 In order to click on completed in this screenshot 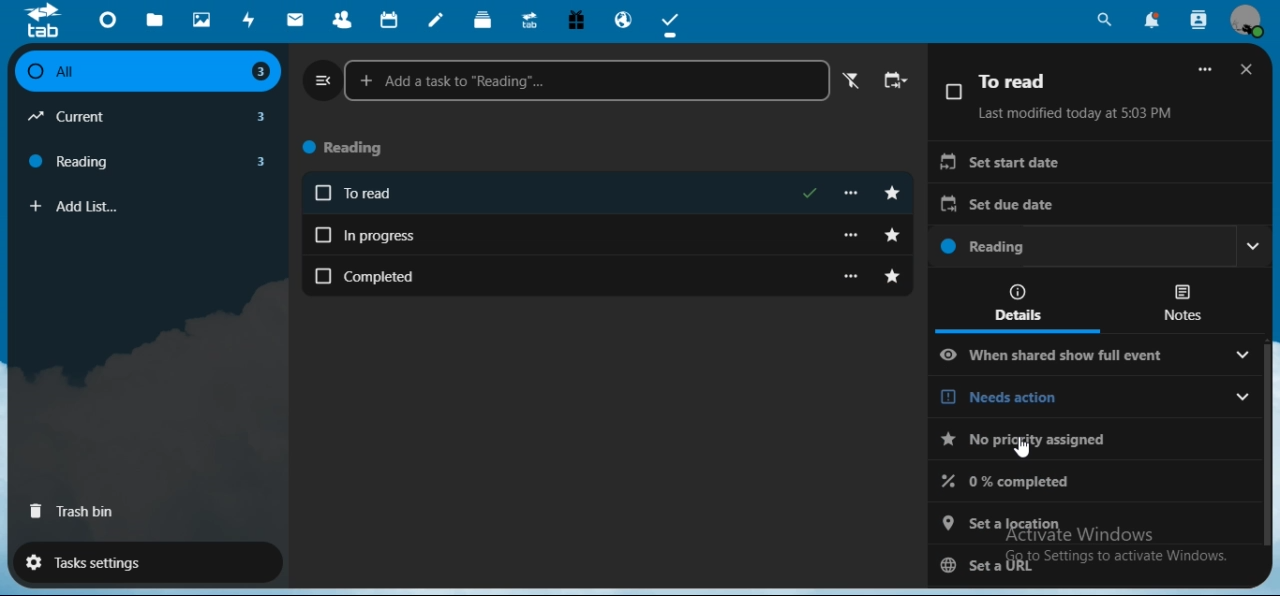, I will do `click(586, 275)`.